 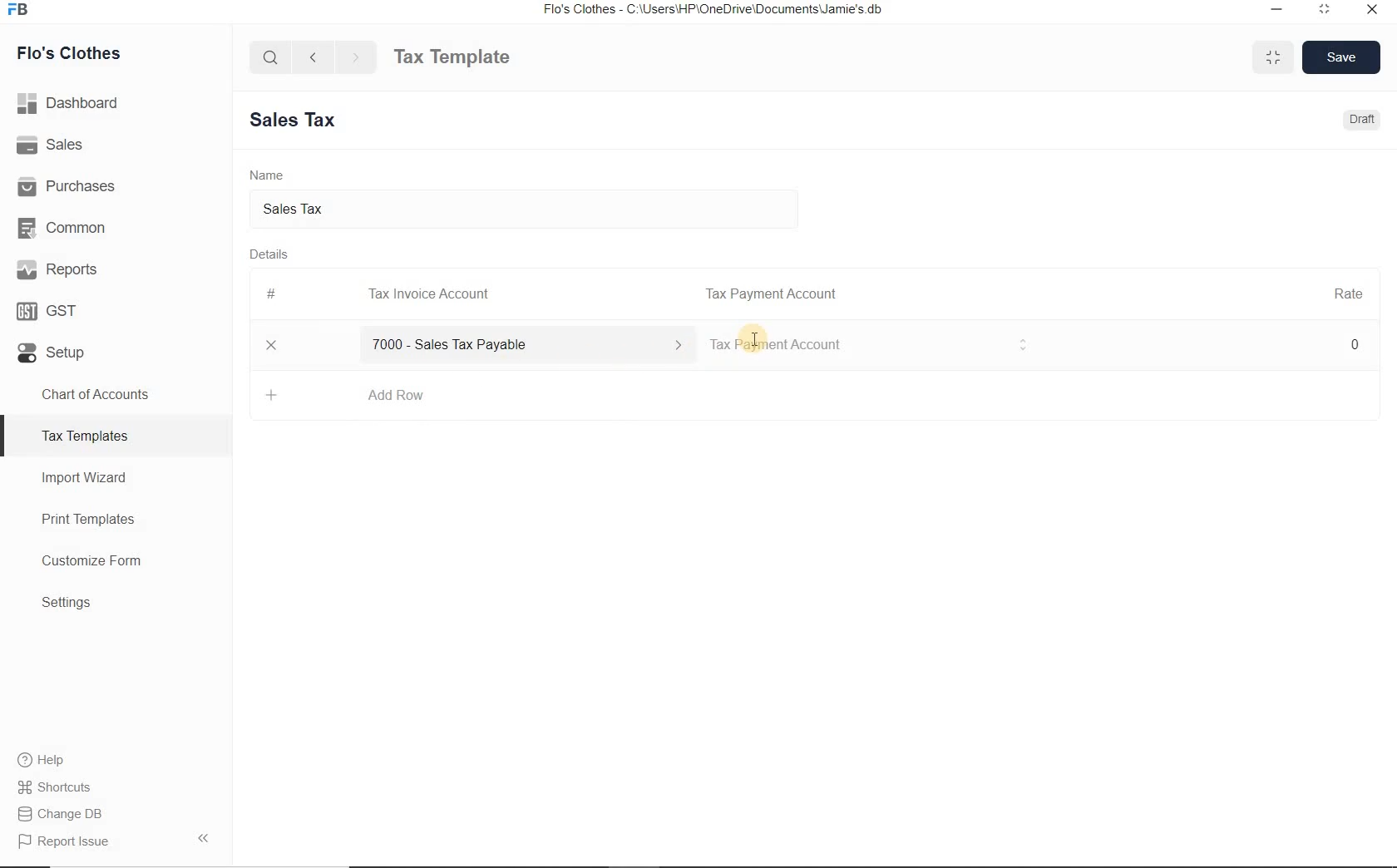 I want to click on Tax Payment Account, so click(x=769, y=294).